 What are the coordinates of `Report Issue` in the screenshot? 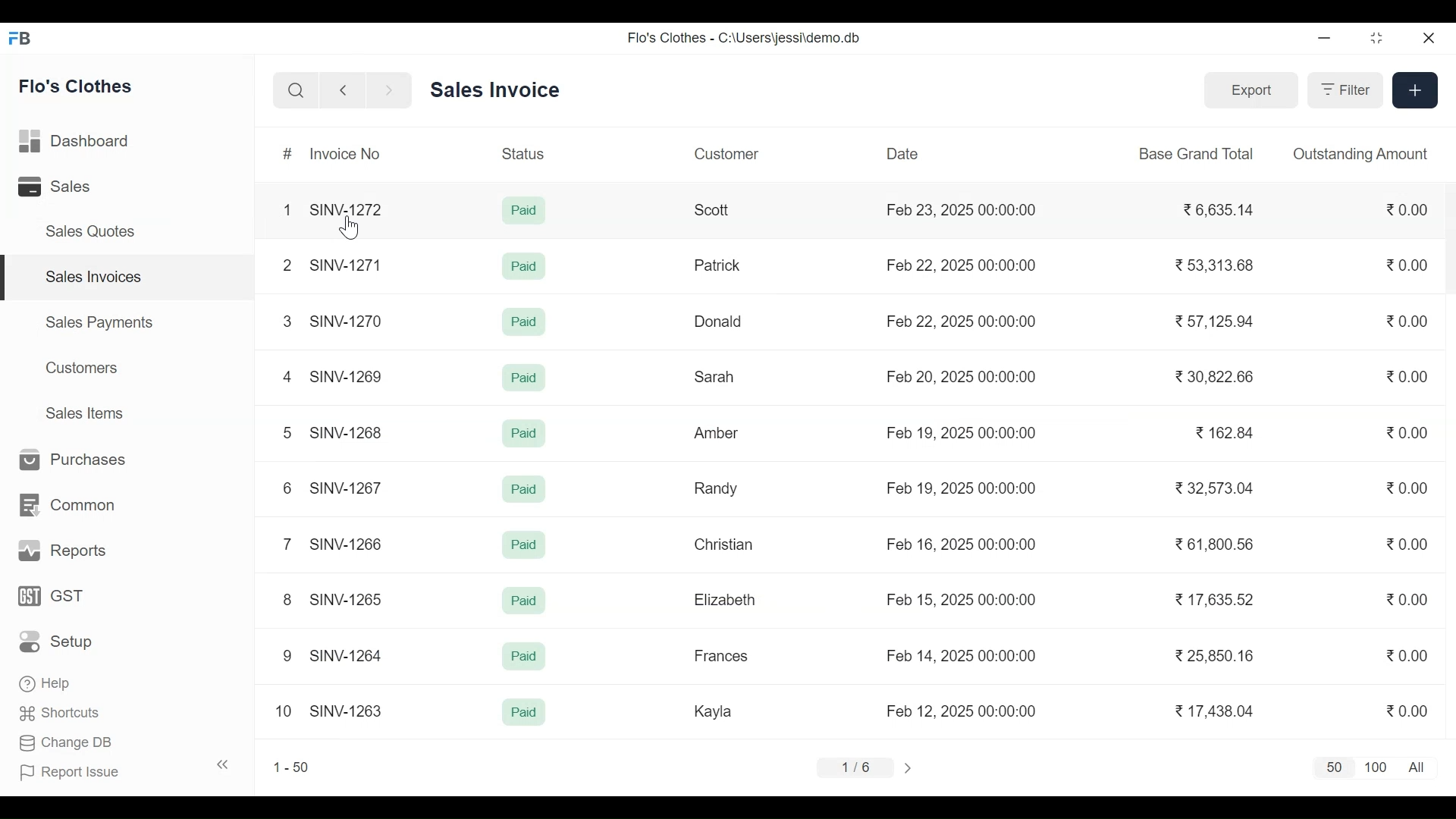 It's located at (120, 771).